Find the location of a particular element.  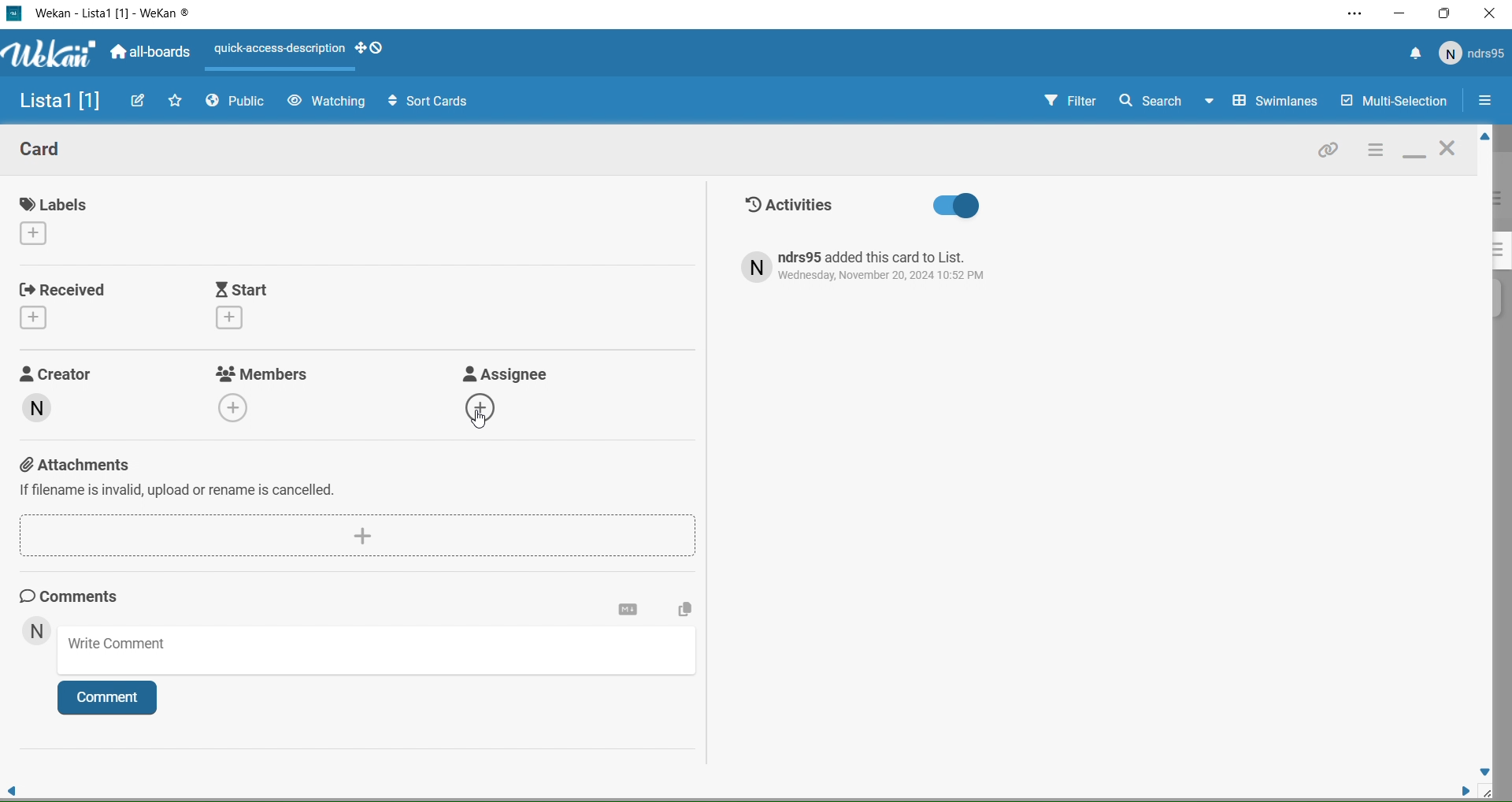

All boards is located at coordinates (152, 54).